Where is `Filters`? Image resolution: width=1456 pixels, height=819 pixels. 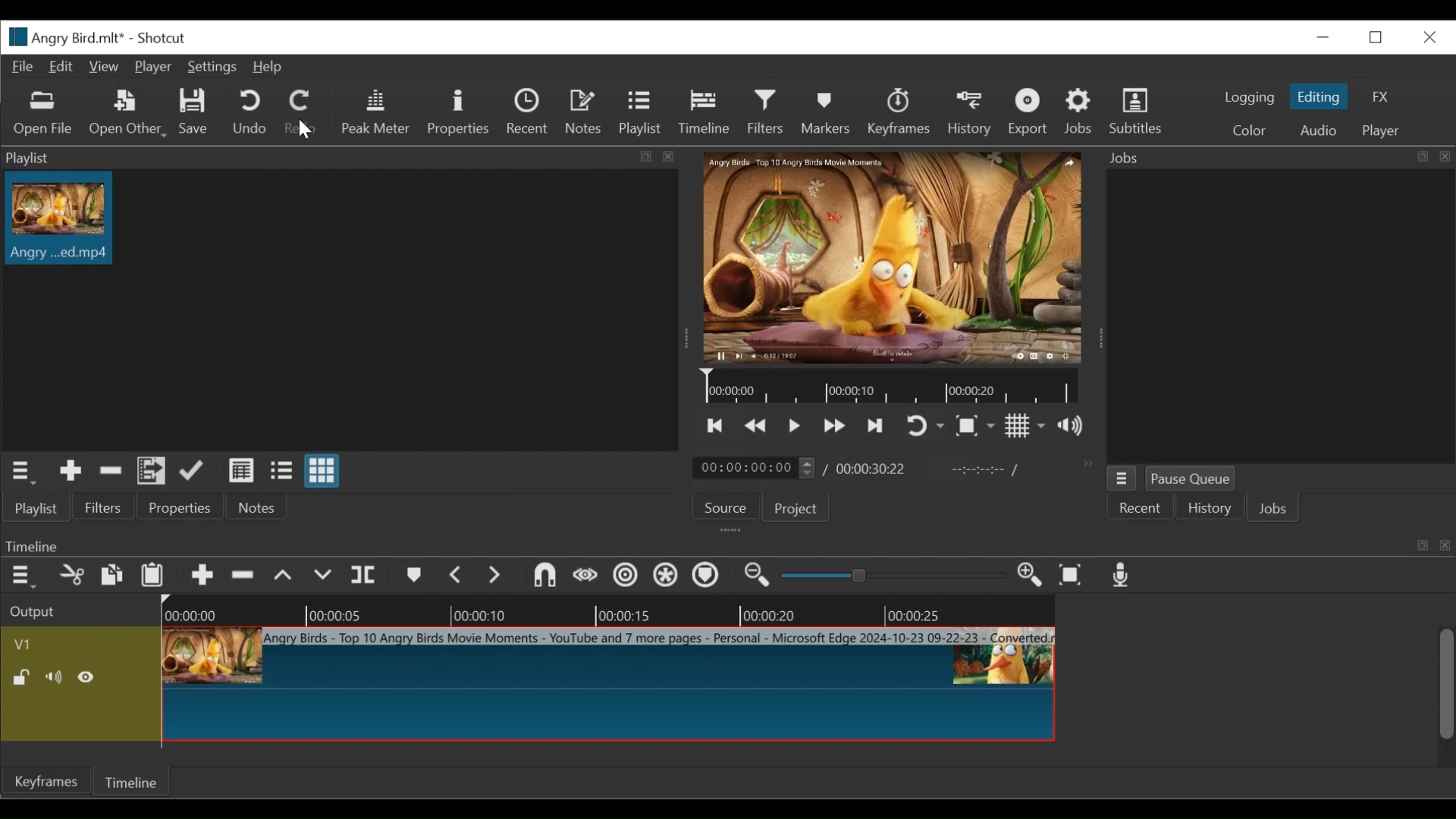
Filters is located at coordinates (765, 112).